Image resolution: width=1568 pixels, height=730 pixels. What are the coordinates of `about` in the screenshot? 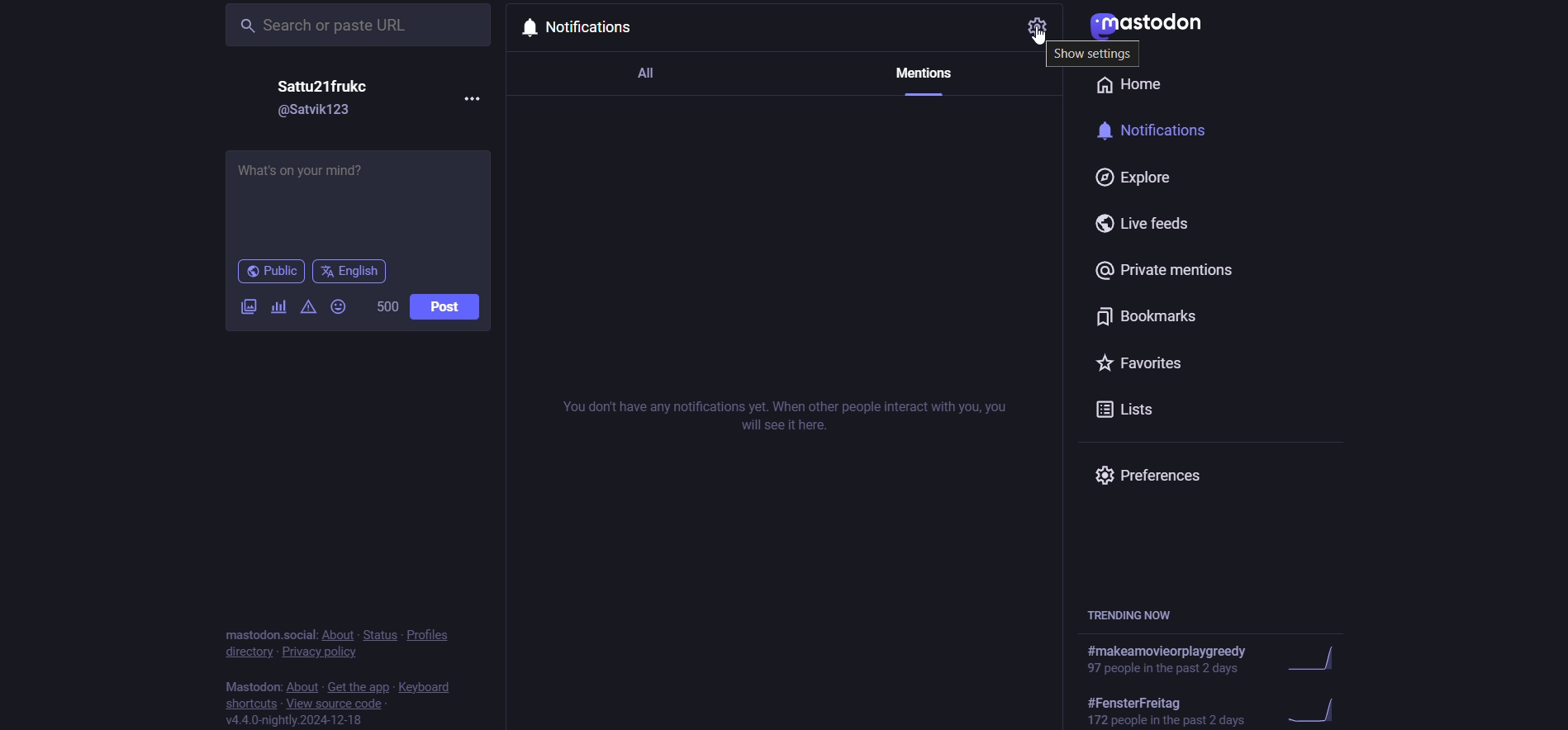 It's located at (306, 687).